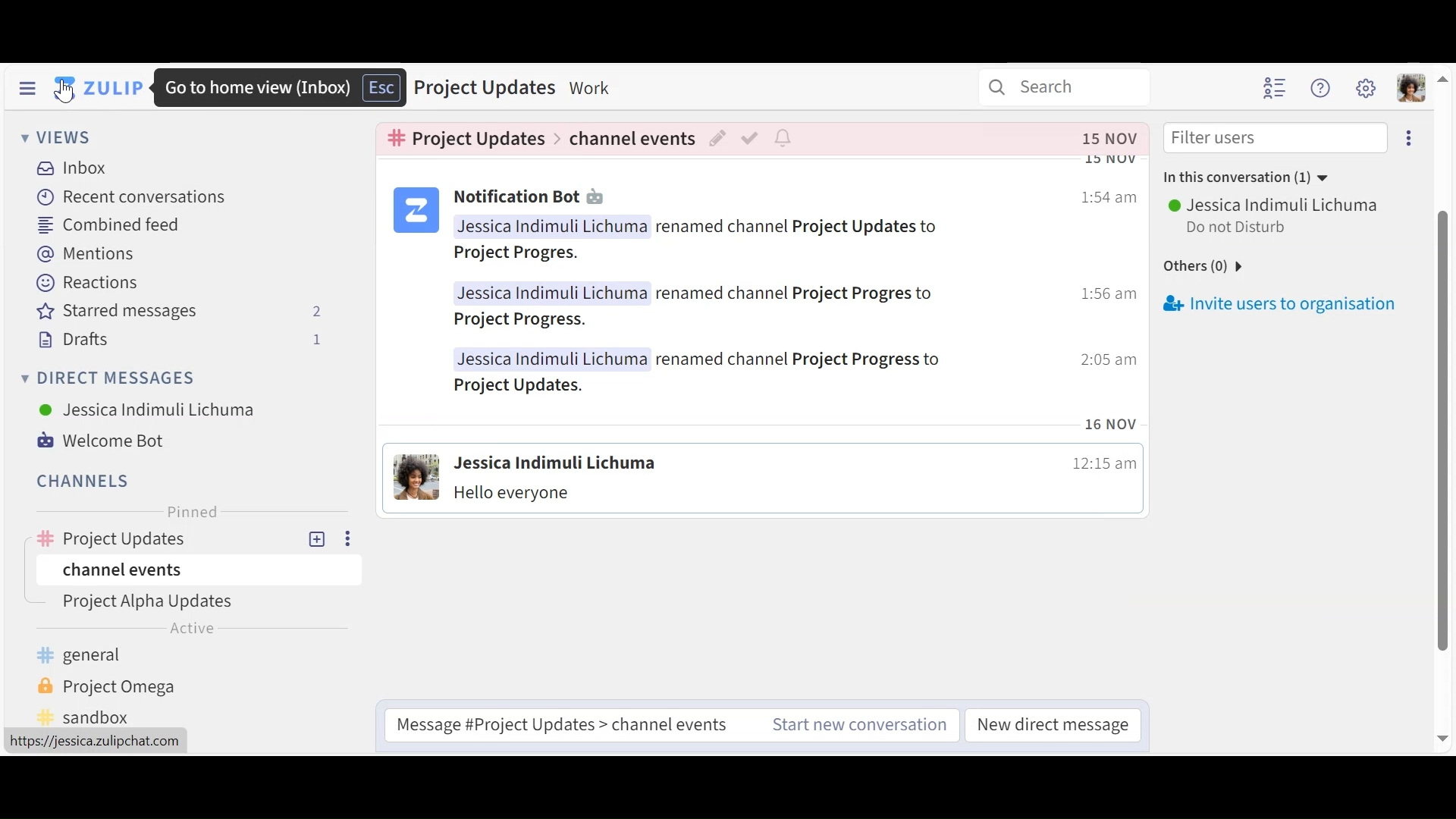 The image size is (1456, 819). What do you see at coordinates (522, 89) in the screenshot?
I see `Project Updates Work` at bounding box center [522, 89].